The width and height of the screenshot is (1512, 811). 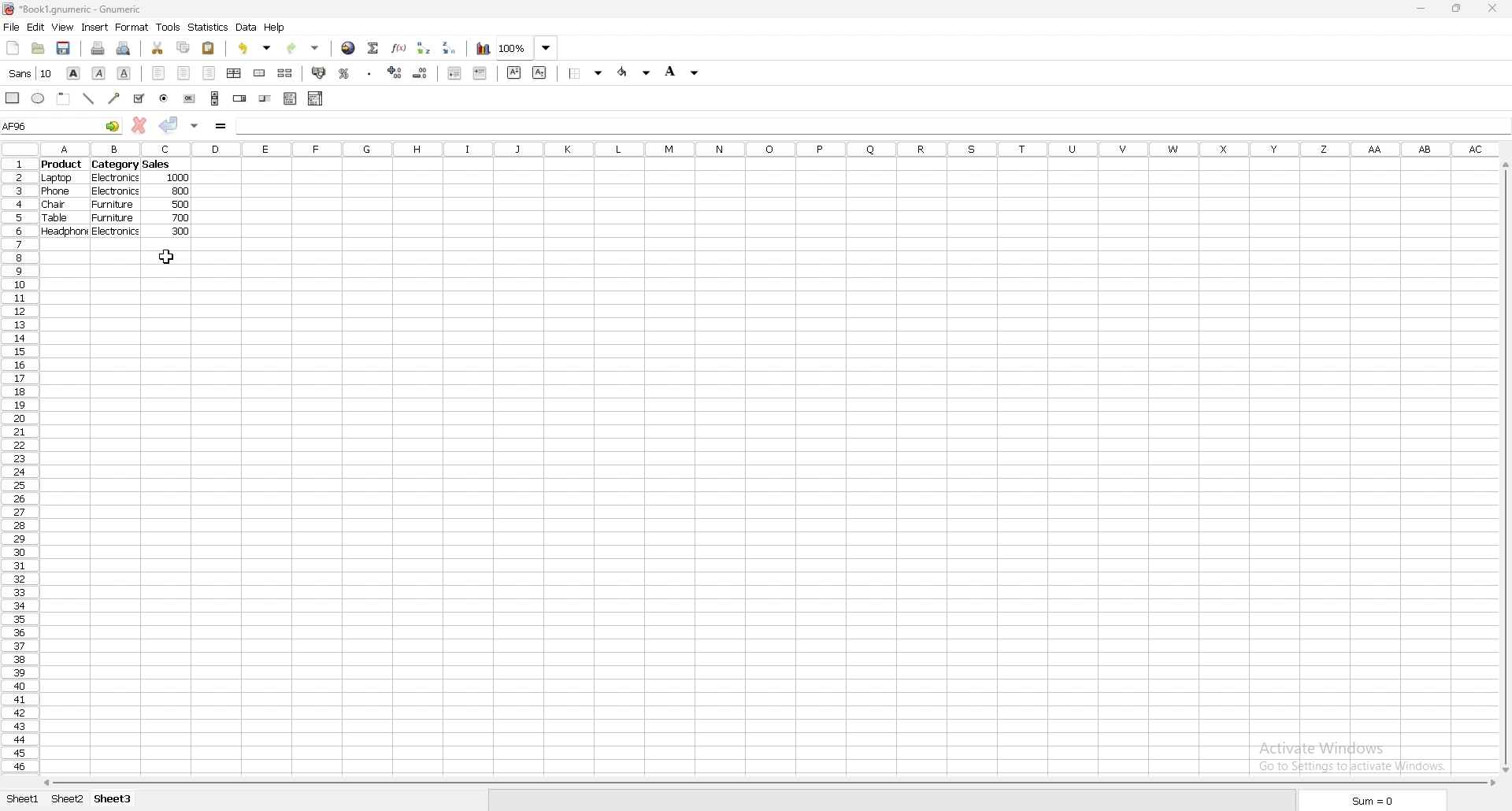 I want to click on table, so click(x=56, y=217).